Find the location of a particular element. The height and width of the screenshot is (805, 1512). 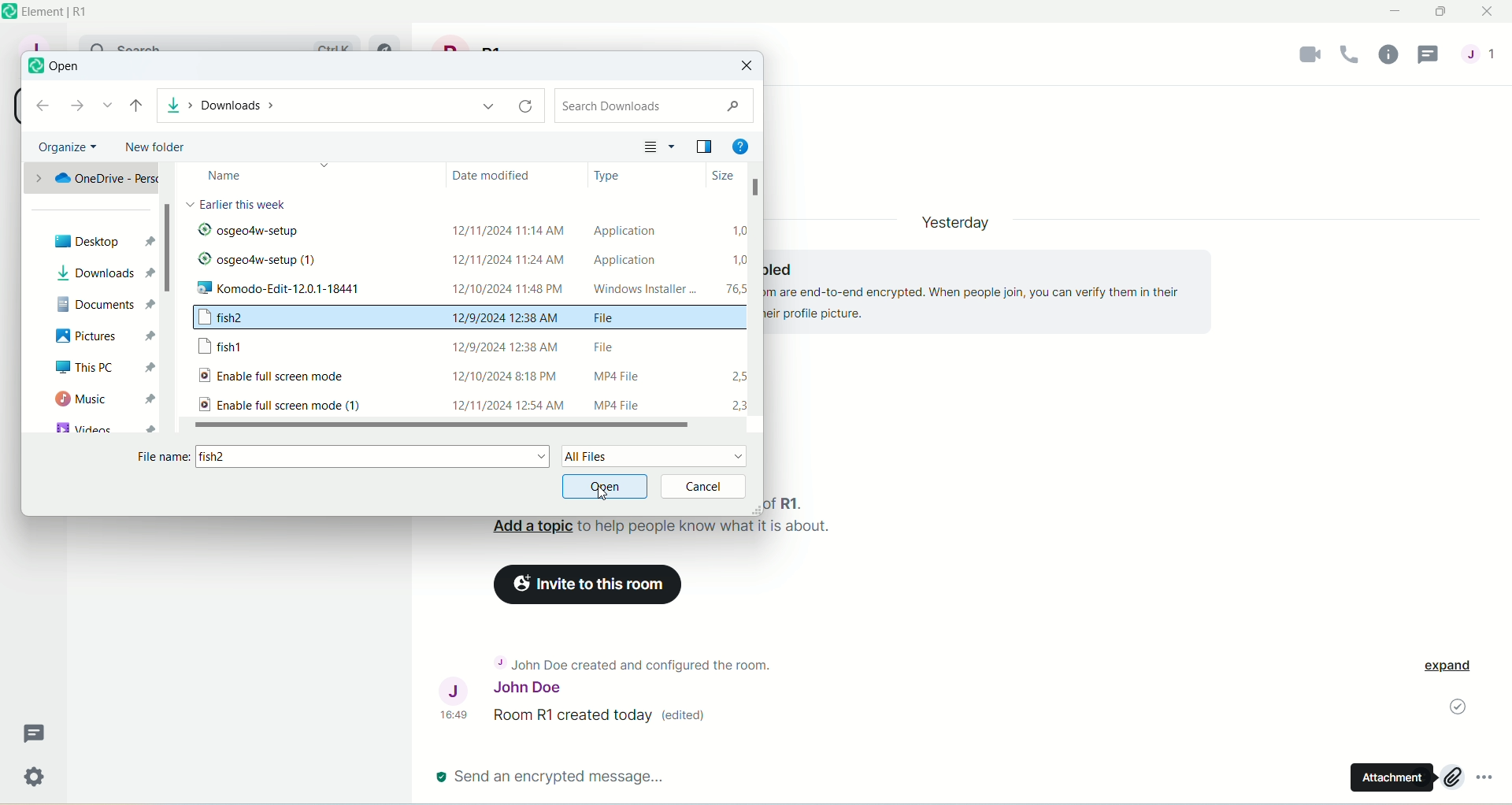

search is located at coordinates (655, 105).